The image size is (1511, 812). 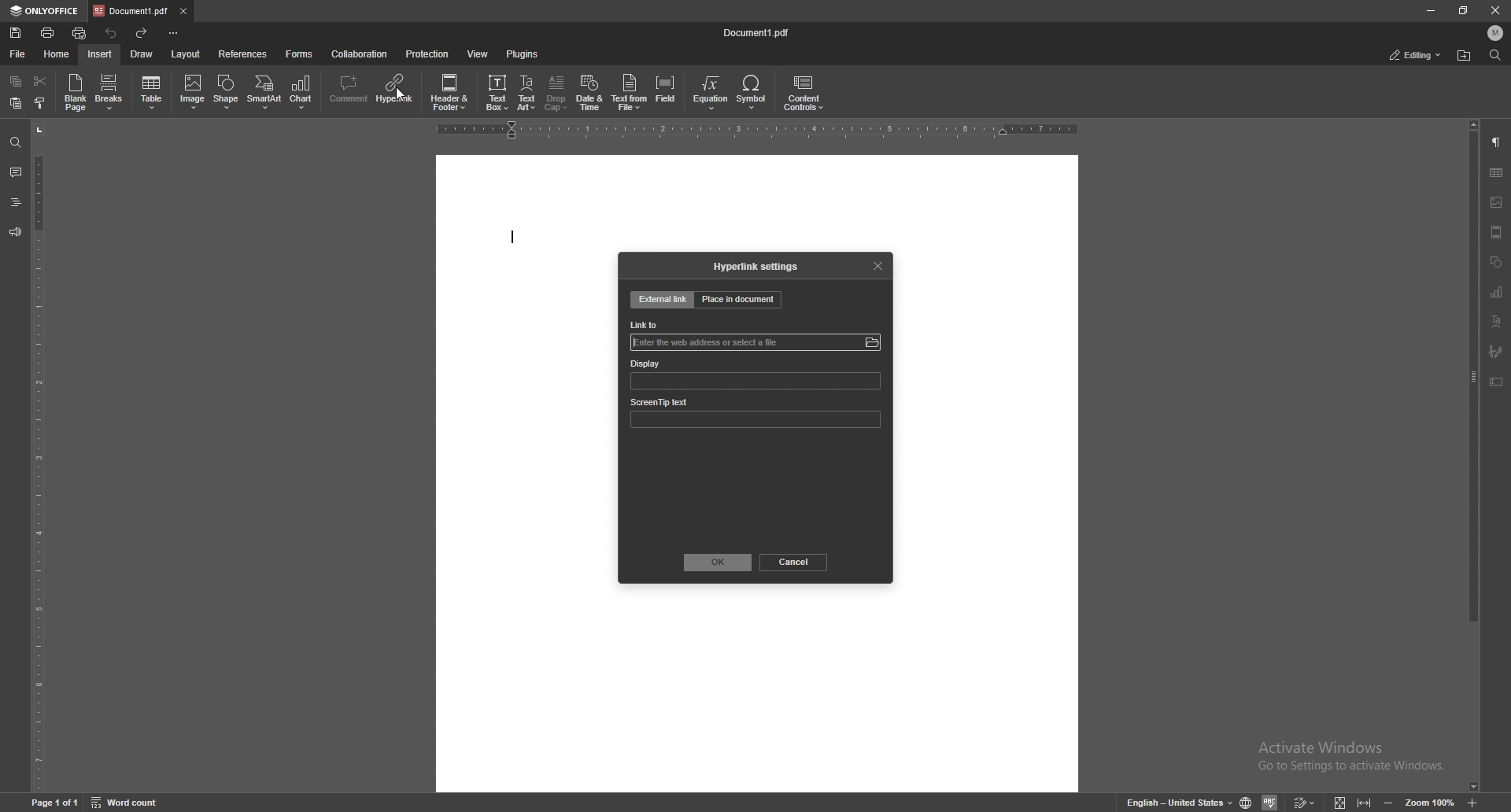 What do you see at coordinates (666, 92) in the screenshot?
I see `field` at bounding box center [666, 92].